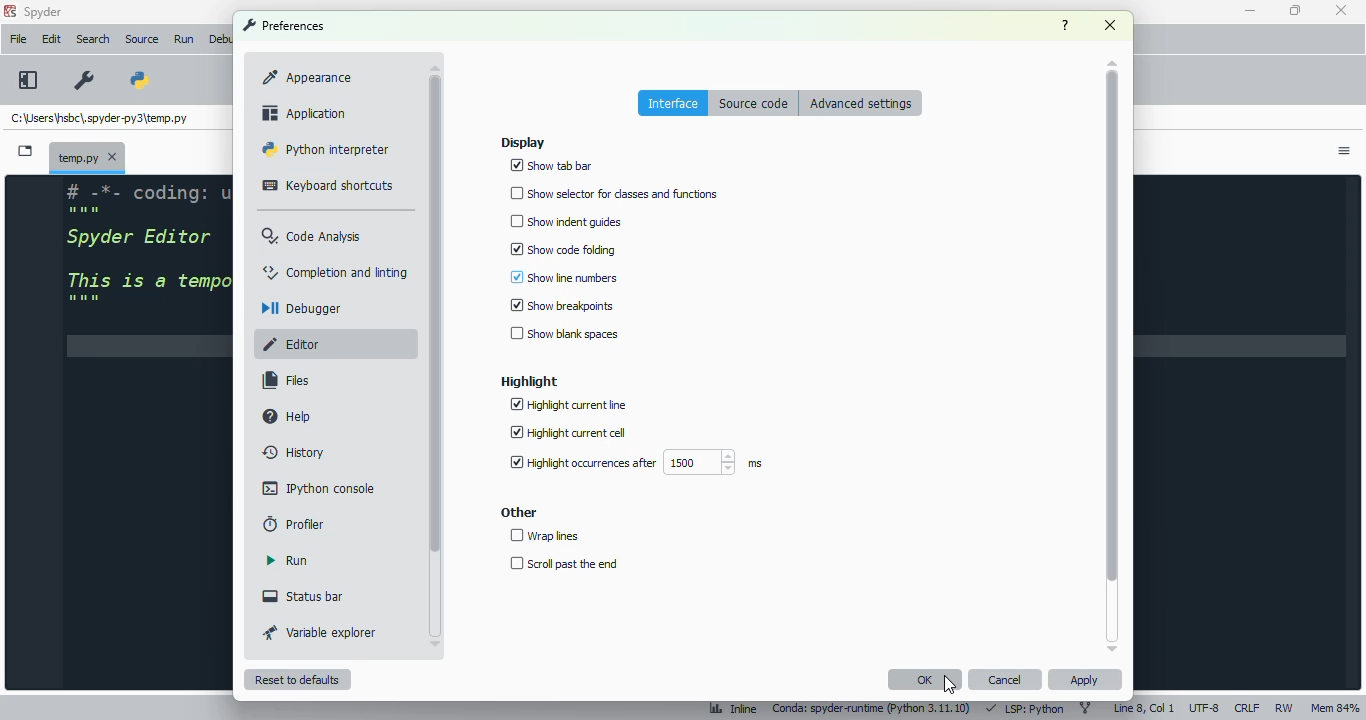 The image size is (1366, 720). What do you see at coordinates (304, 596) in the screenshot?
I see `status bar` at bounding box center [304, 596].